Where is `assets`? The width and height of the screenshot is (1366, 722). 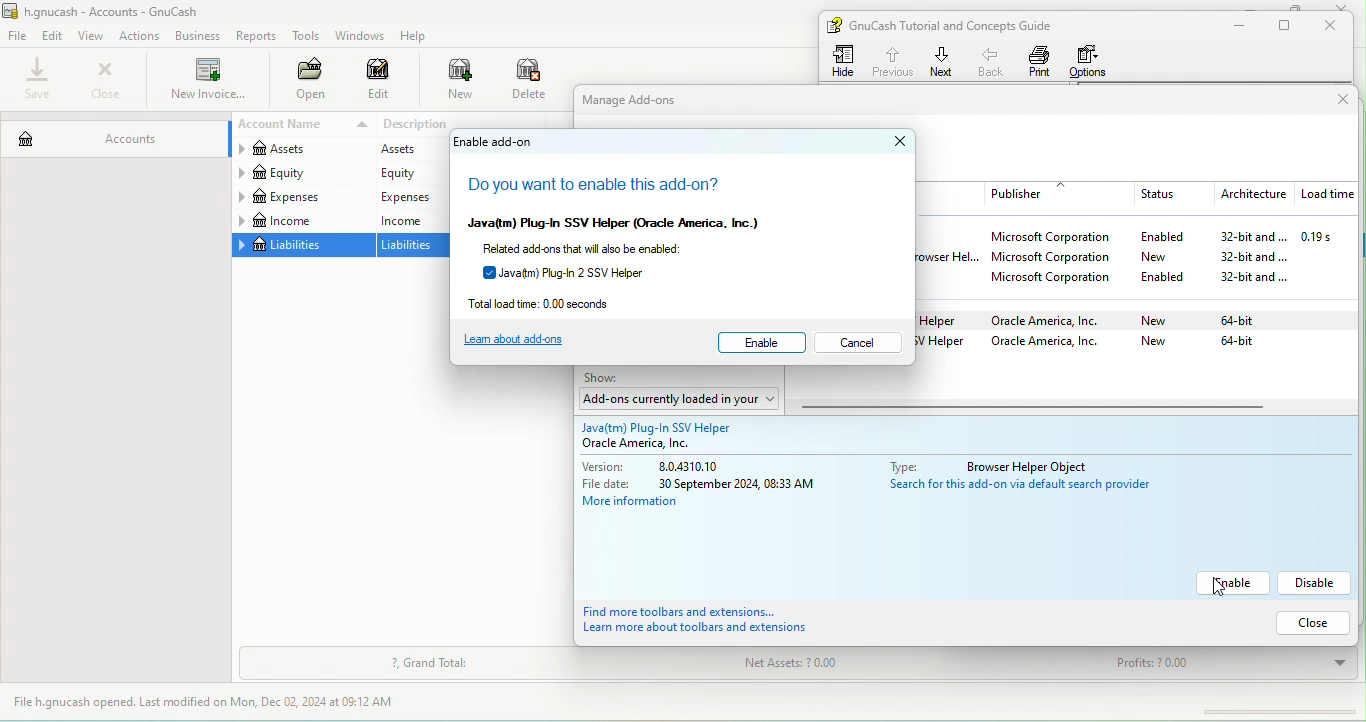
assets is located at coordinates (300, 151).